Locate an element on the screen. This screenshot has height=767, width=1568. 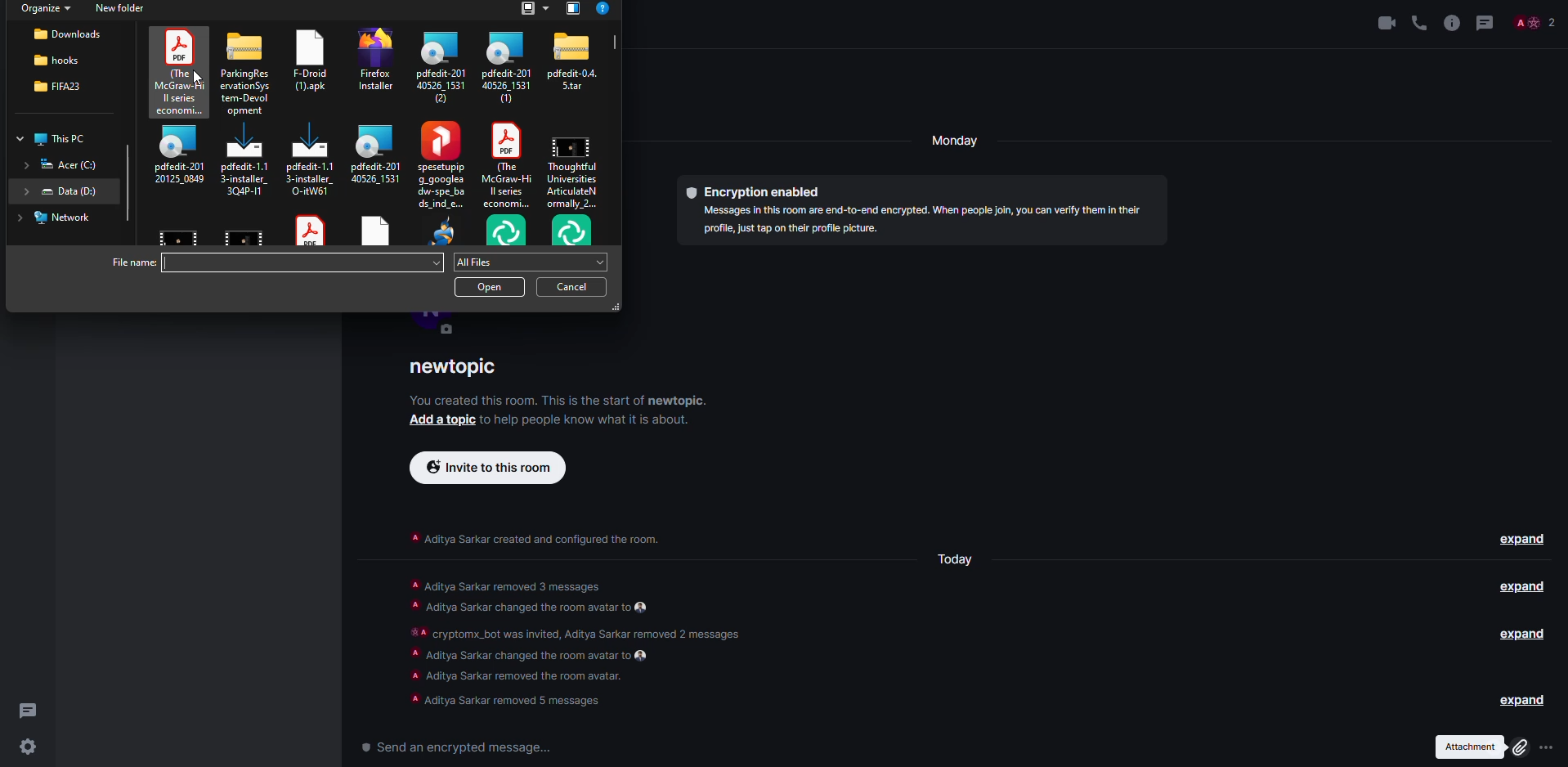
cursor is located at coordinates (199, 82).